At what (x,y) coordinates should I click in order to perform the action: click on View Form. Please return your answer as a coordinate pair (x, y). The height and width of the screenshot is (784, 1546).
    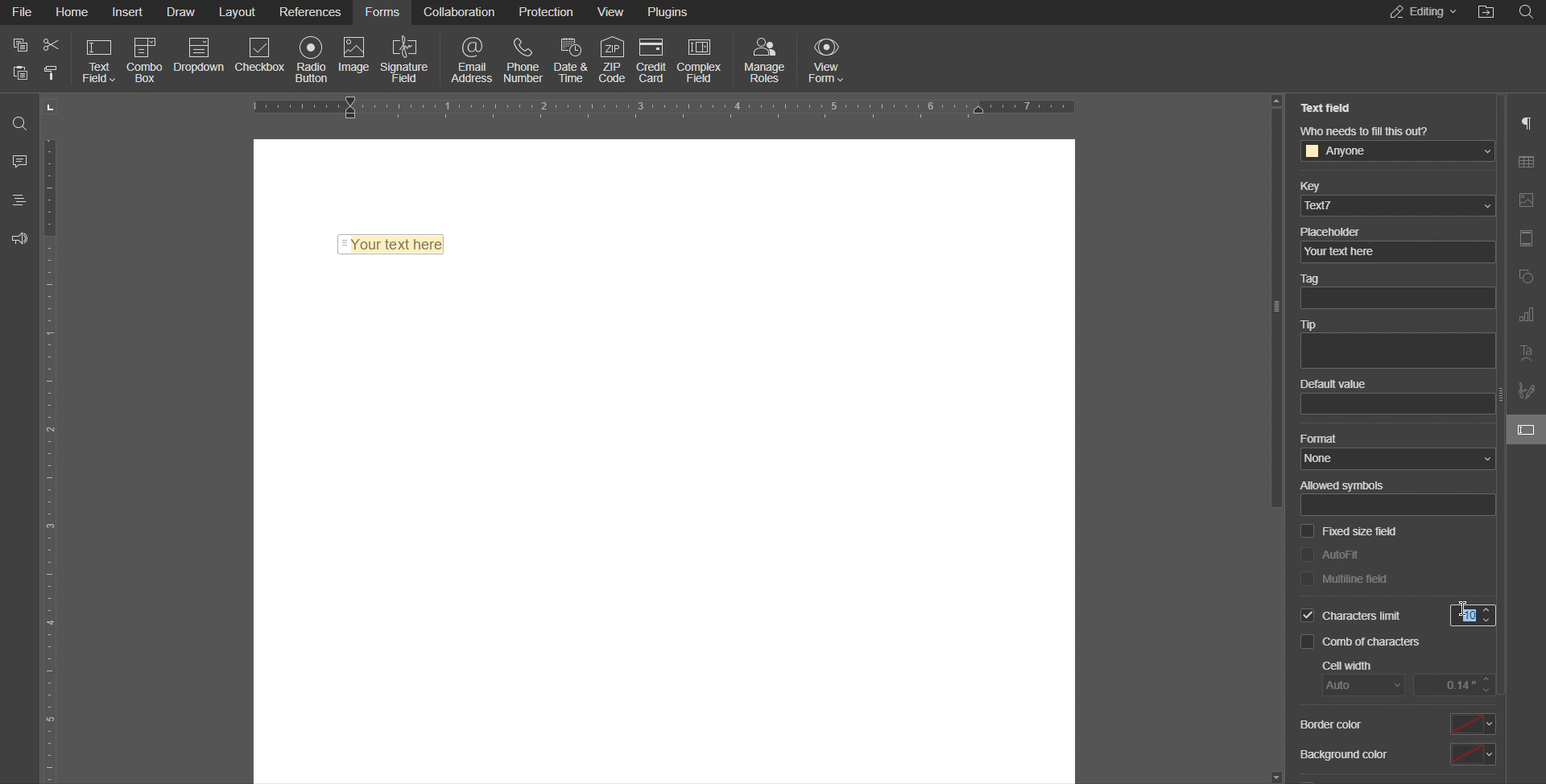
    Looking at the image, I should click on (830, 58).